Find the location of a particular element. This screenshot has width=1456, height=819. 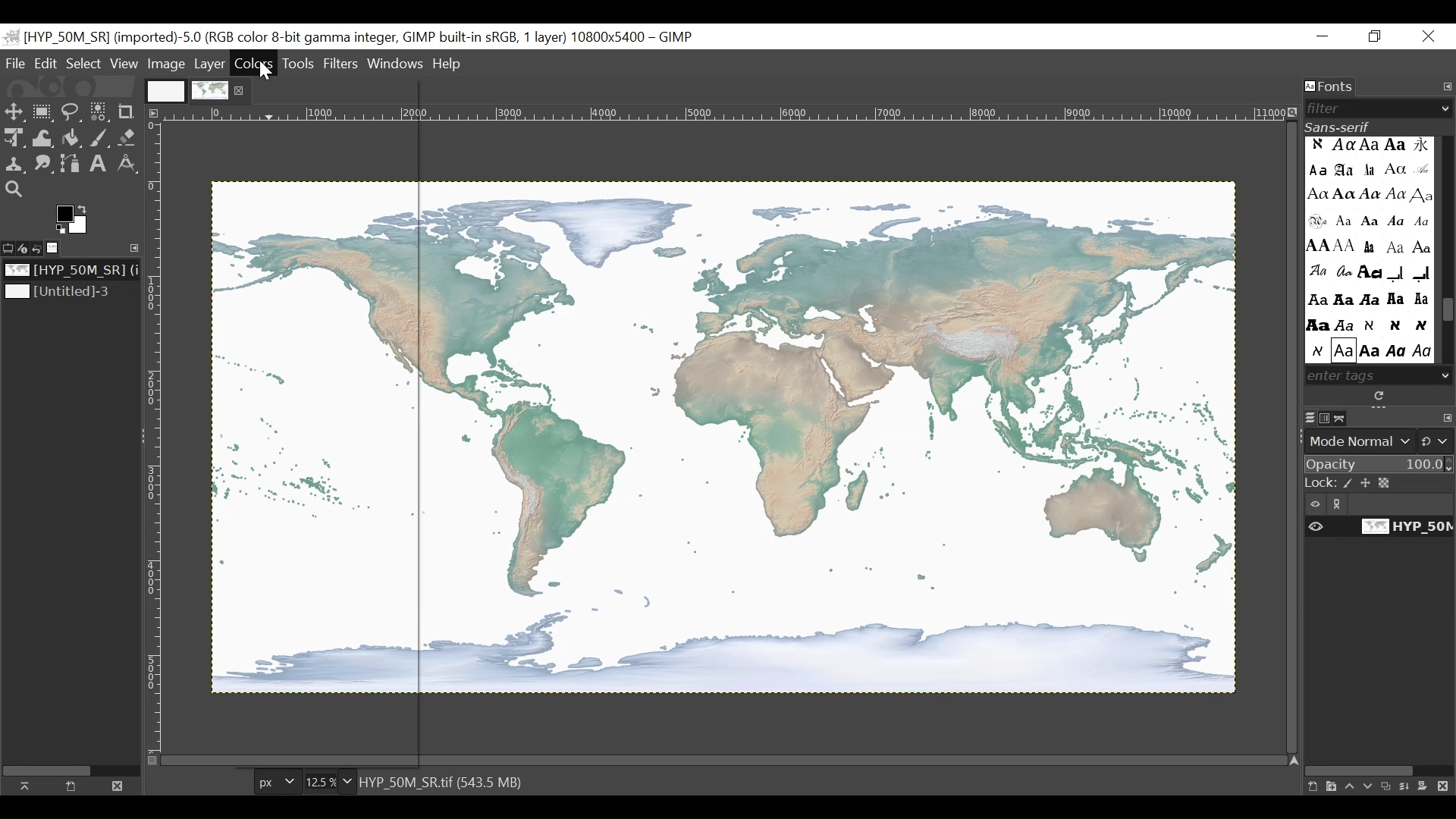

Pixels is located at coordinates (275, 783).